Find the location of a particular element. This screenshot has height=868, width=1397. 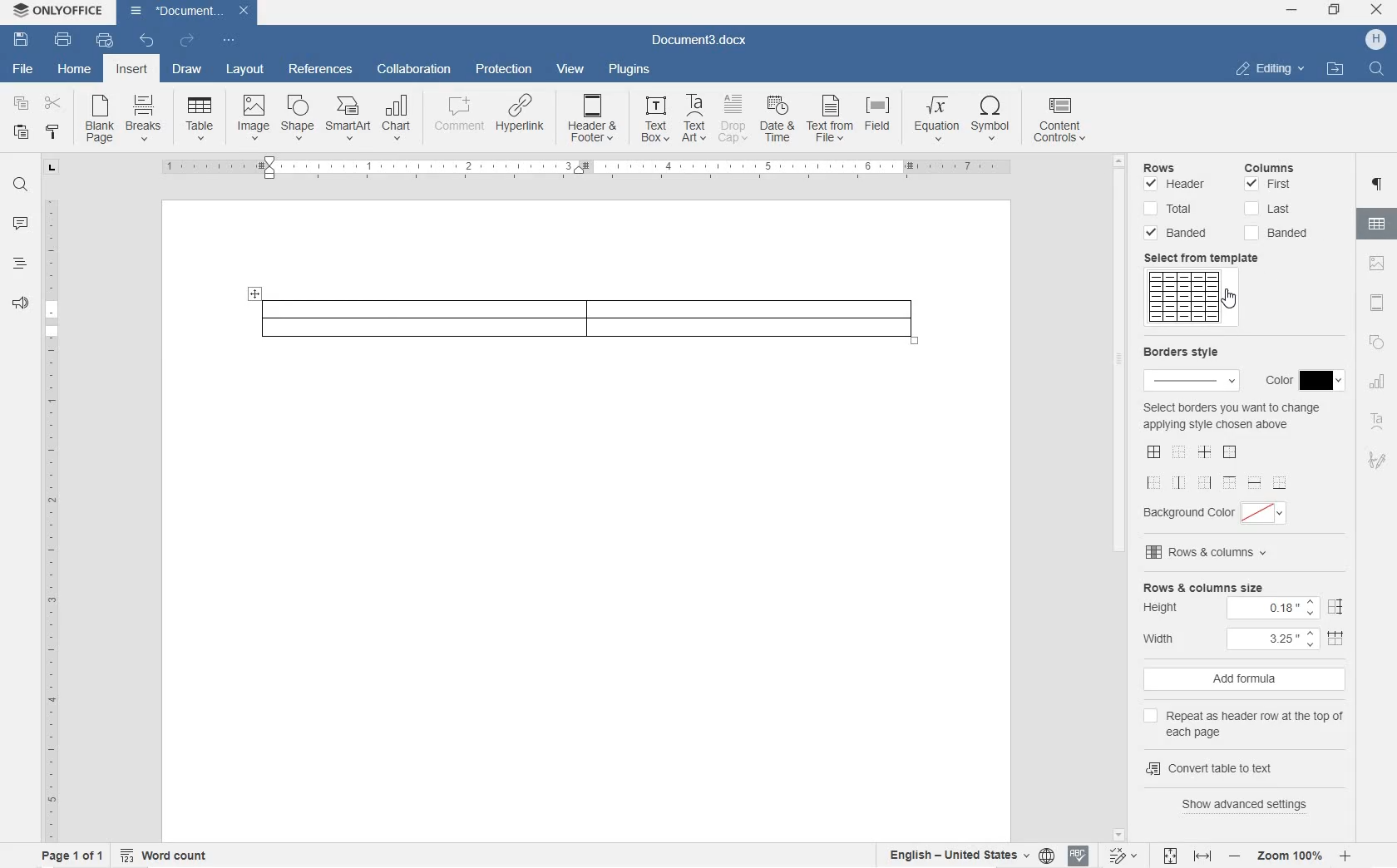

Document3.docx is located at coordinates (700, 38).